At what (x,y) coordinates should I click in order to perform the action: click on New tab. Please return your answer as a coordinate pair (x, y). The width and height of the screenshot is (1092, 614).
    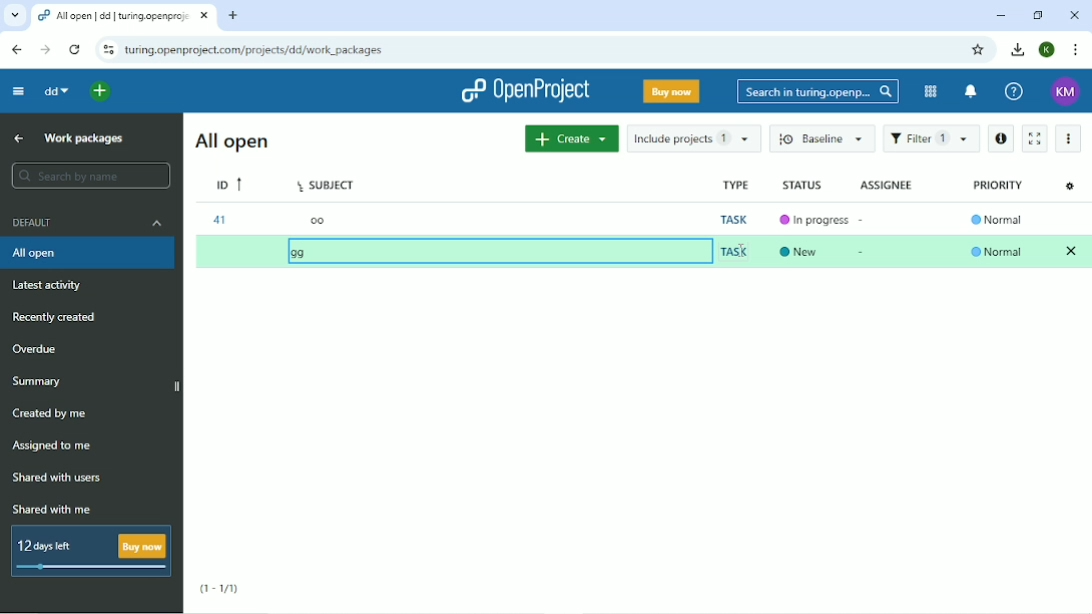
    Looking at the image, I should click on (233, 16).